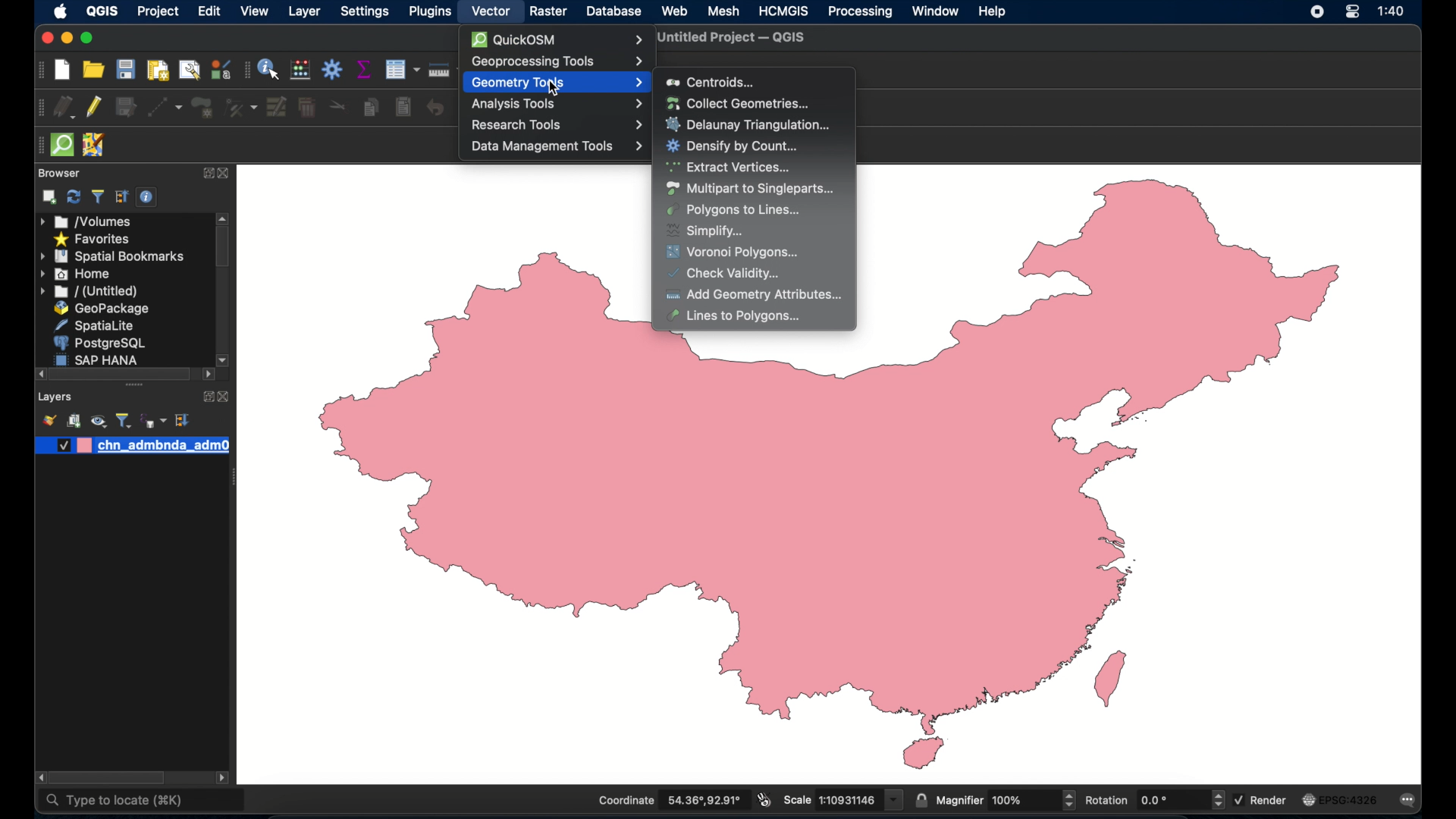  What do you see at coordinates (366, 13) in the screenshot?
I see `settings` at bounding box center [366, 13].